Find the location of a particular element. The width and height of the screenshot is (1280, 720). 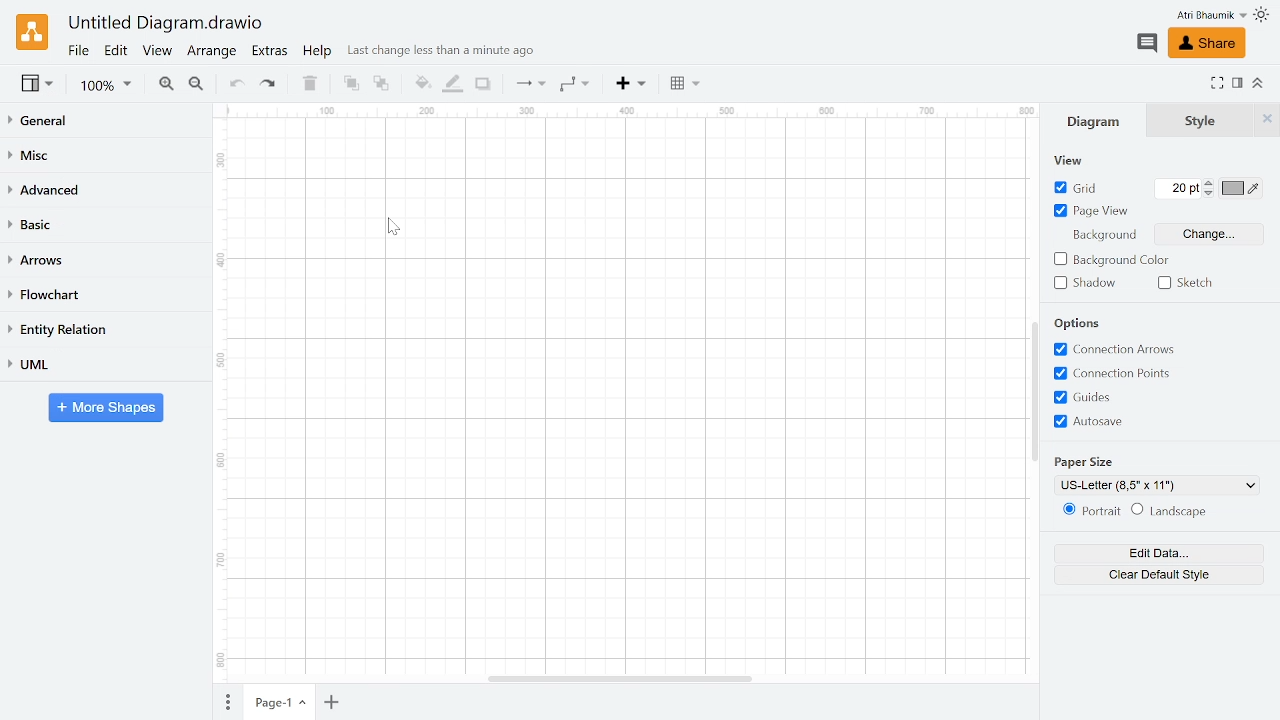

Basic is located at coordinates (103, 225).